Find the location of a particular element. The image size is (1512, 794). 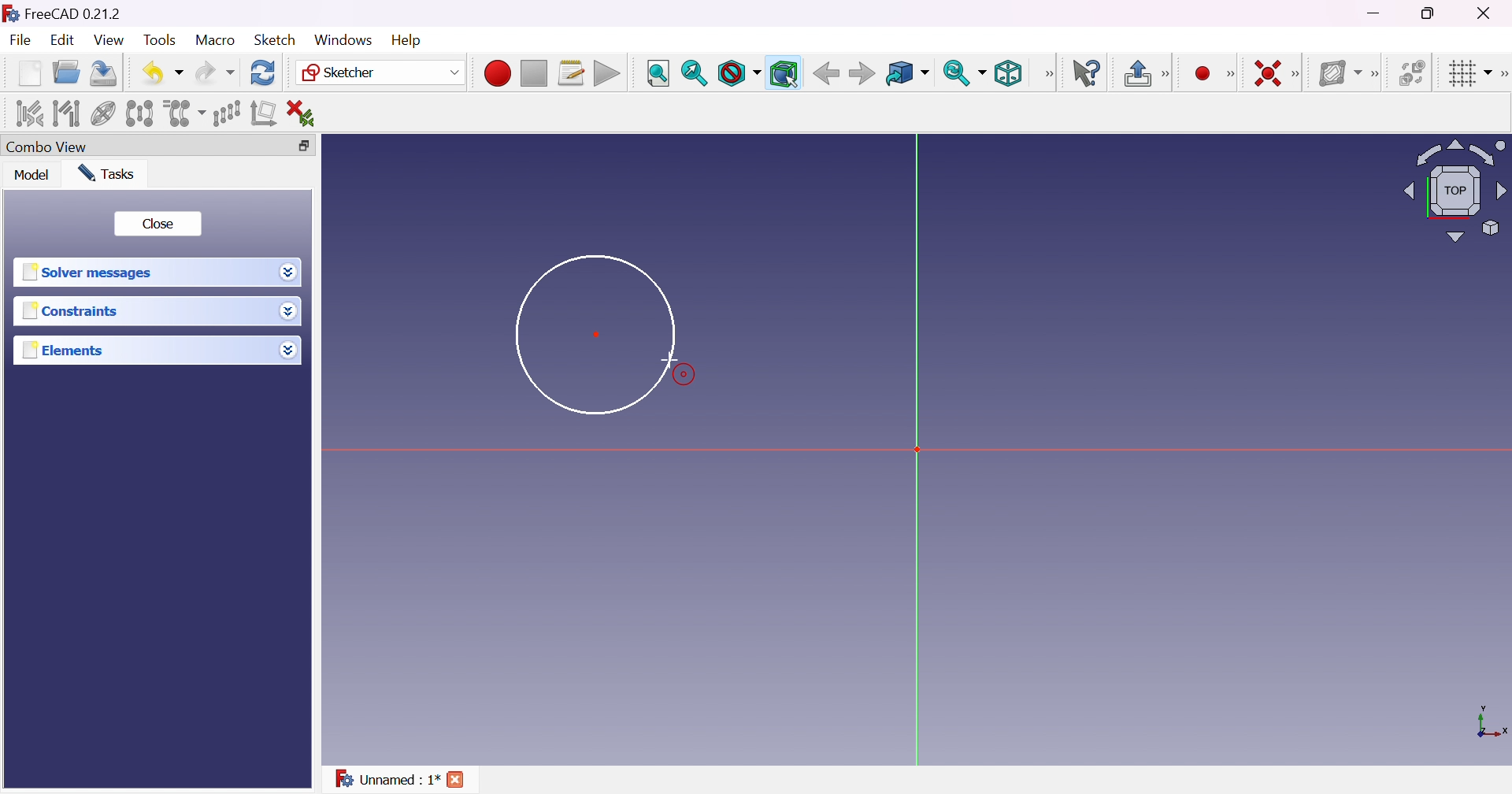

Sketcher is located at coordinates (382, 72).